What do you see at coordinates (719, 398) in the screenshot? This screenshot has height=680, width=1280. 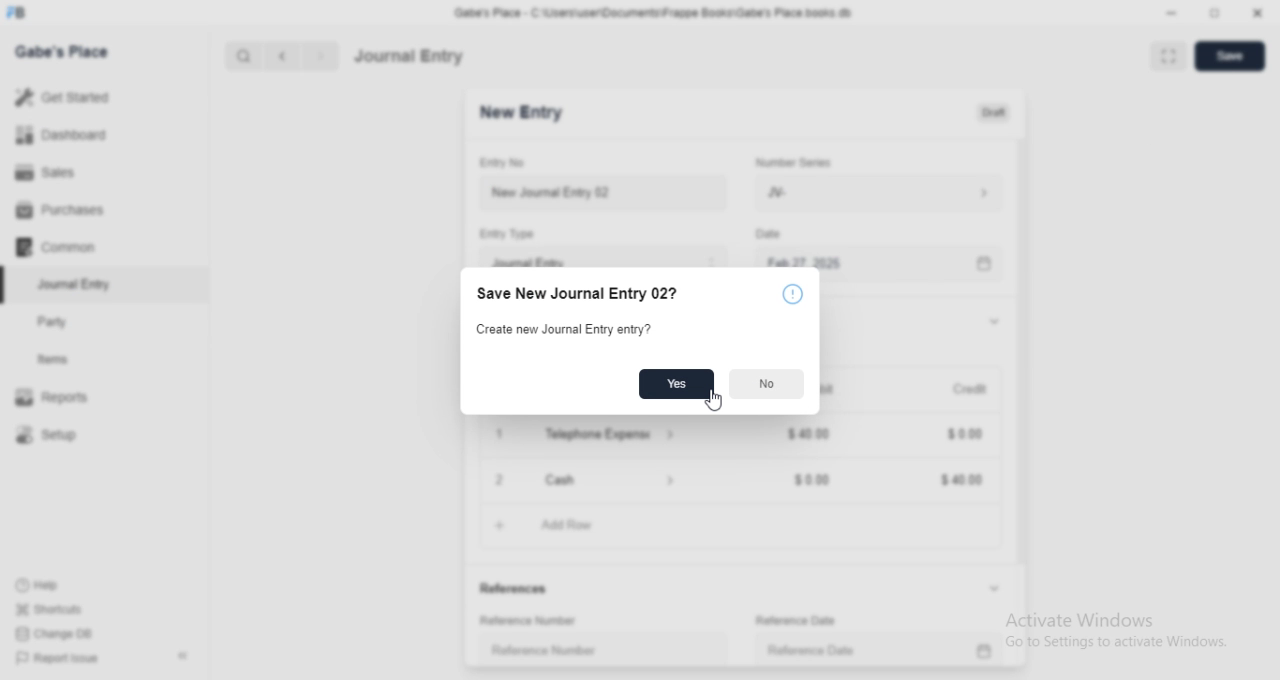 I see `cursor` at bounding box center [719, 398].